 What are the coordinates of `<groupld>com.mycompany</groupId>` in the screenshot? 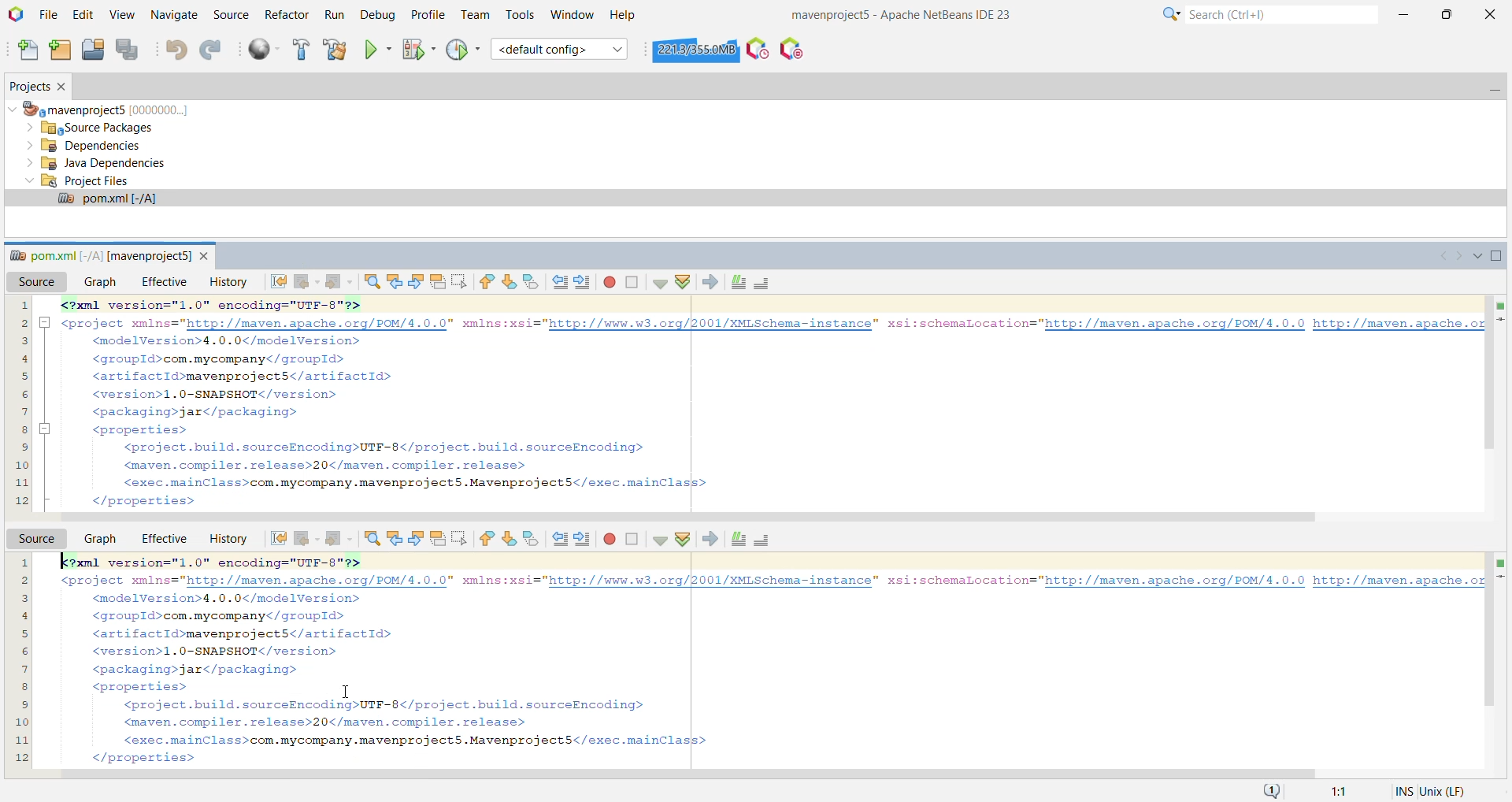 It's located at (226, 360).